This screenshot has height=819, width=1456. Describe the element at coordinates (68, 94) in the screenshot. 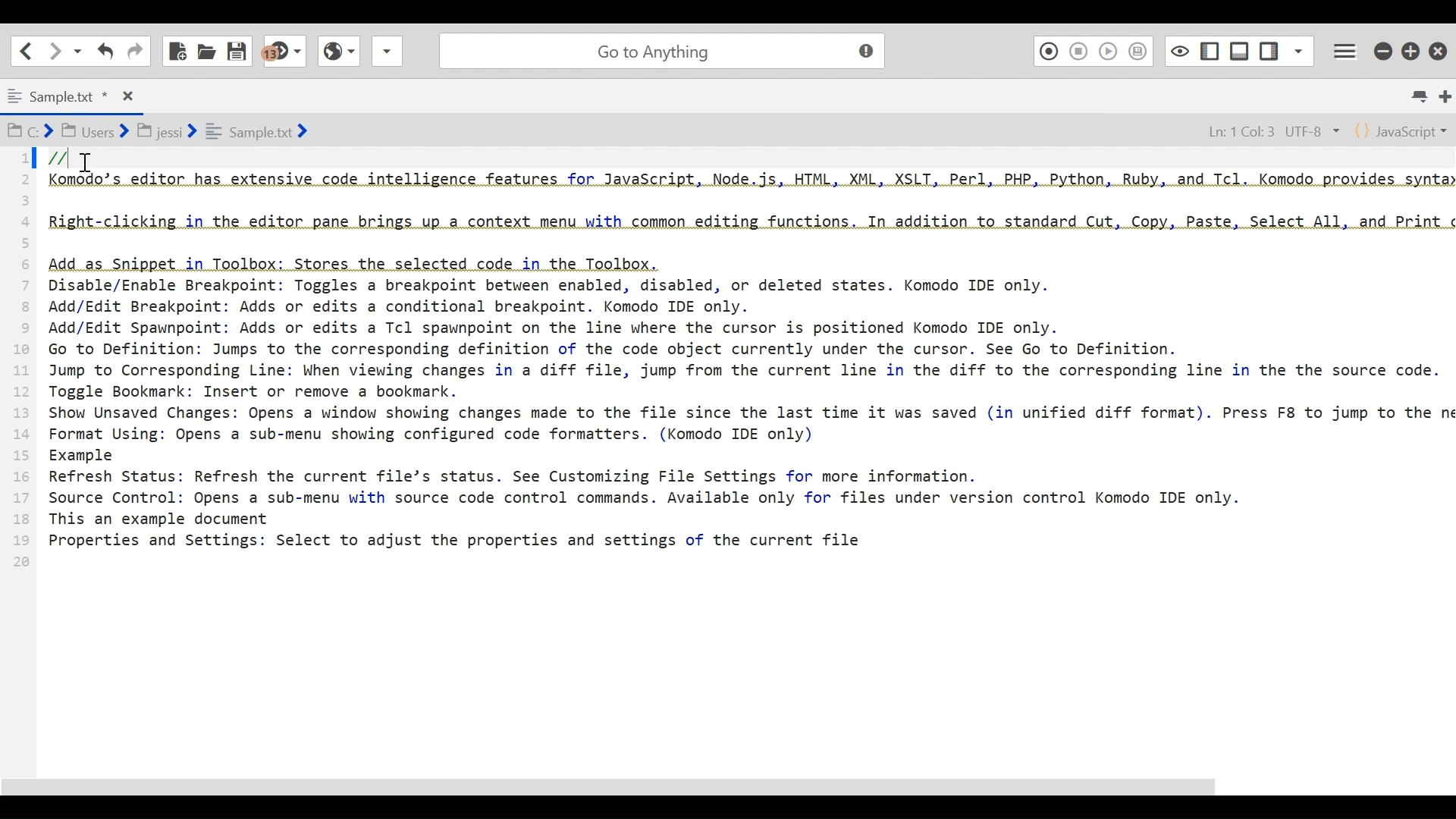

I see `Current Tab` at that location.